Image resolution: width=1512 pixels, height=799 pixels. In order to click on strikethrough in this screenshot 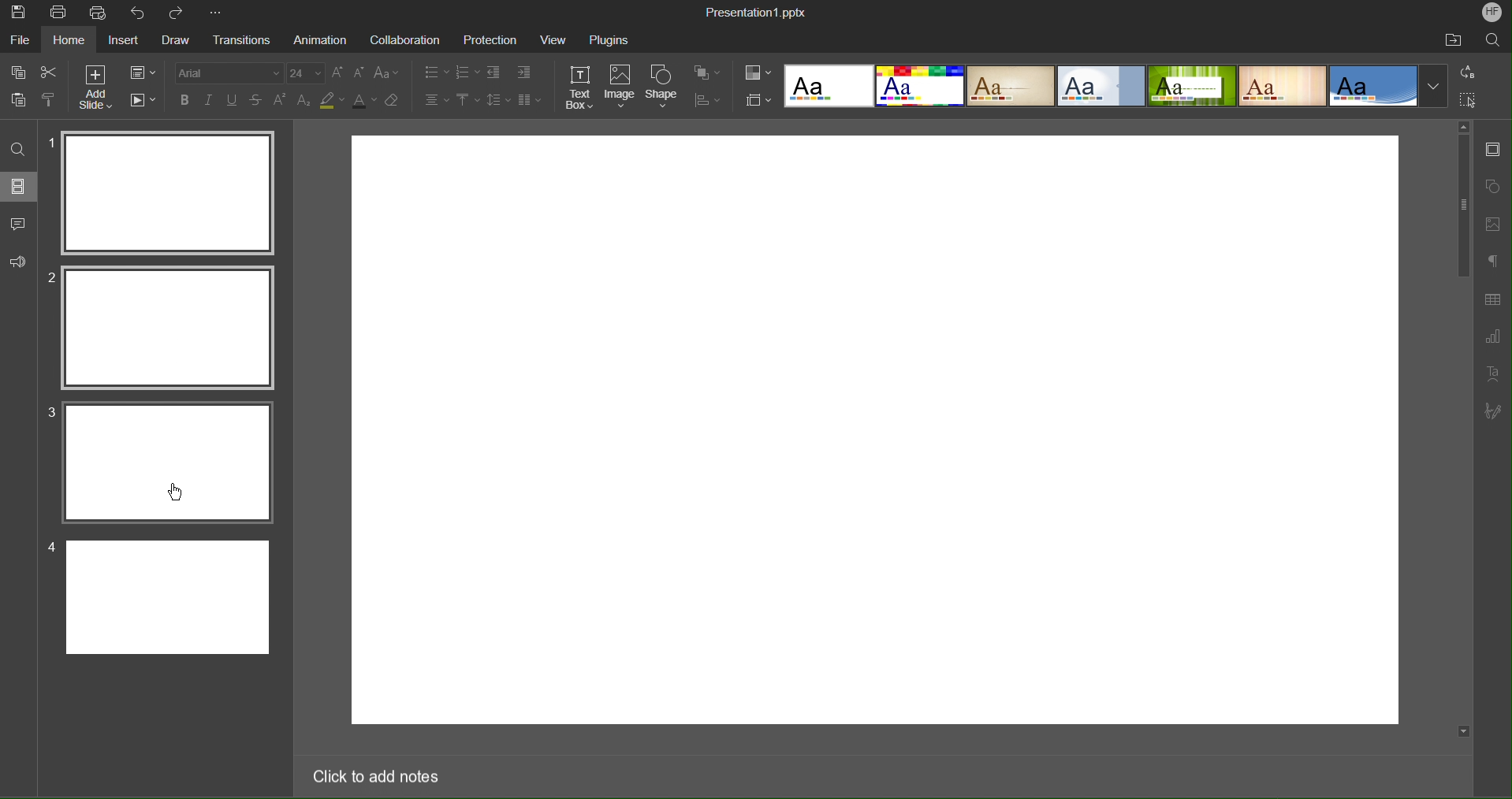, I will do `click(257, 101)`.